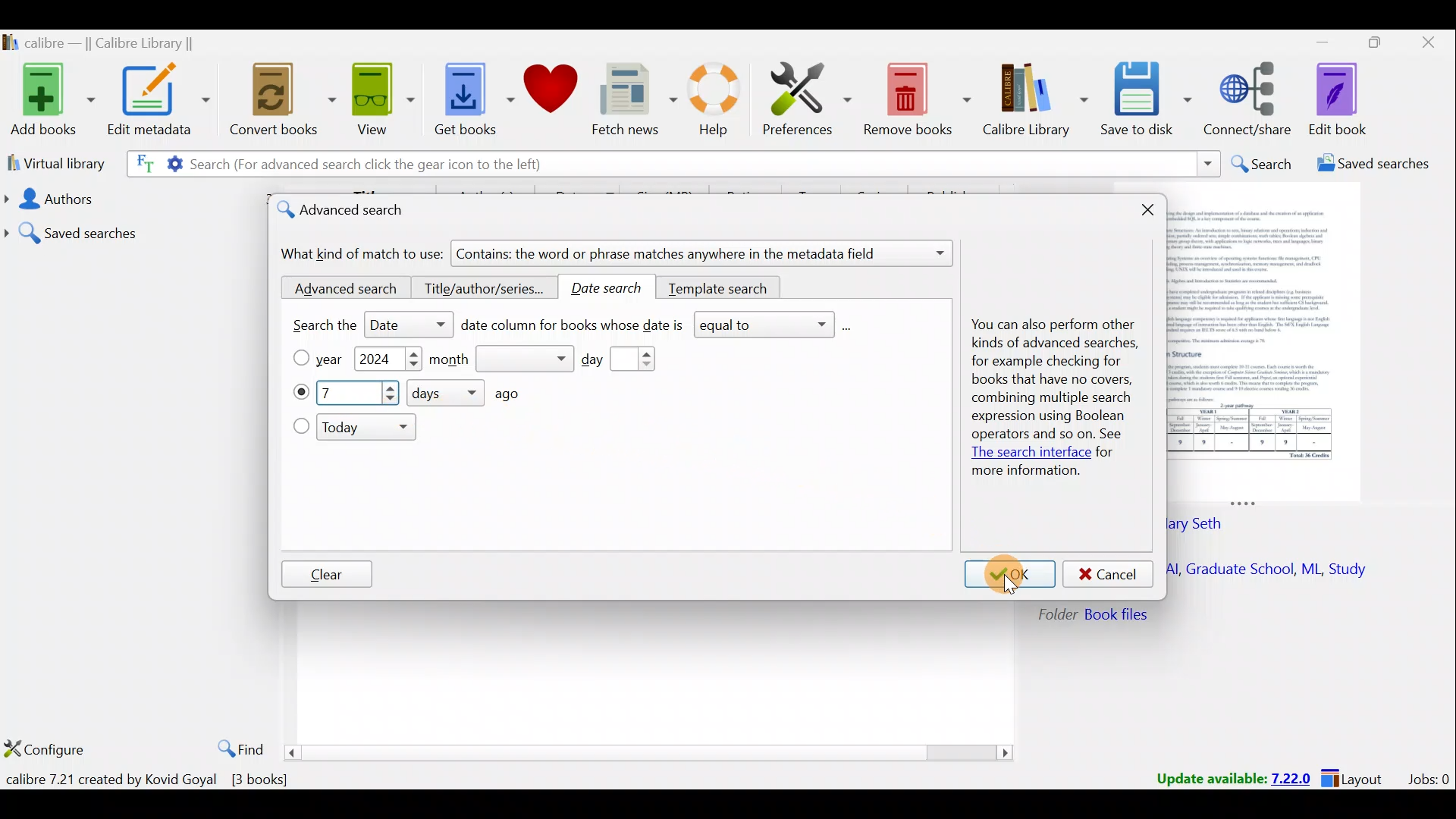 The height and width of the screenshot is (819, 1456). Describe the element at coordinates (344, 394) in the screenshot. I see `7` at that location.